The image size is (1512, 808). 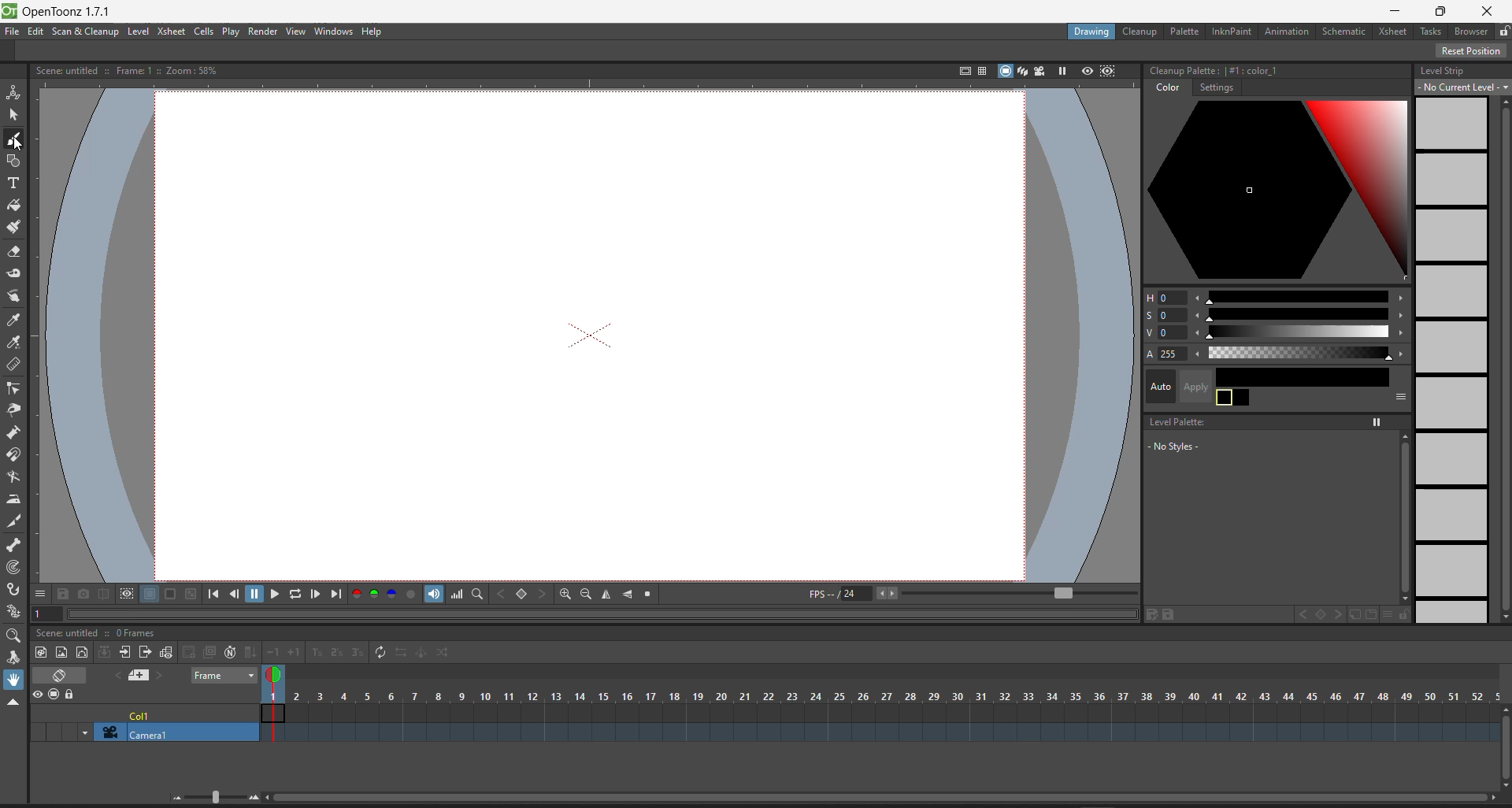 What do you see at coordinates (103, 651) in the screenshot?
I see `collapse` at bounding box center [103, 651].